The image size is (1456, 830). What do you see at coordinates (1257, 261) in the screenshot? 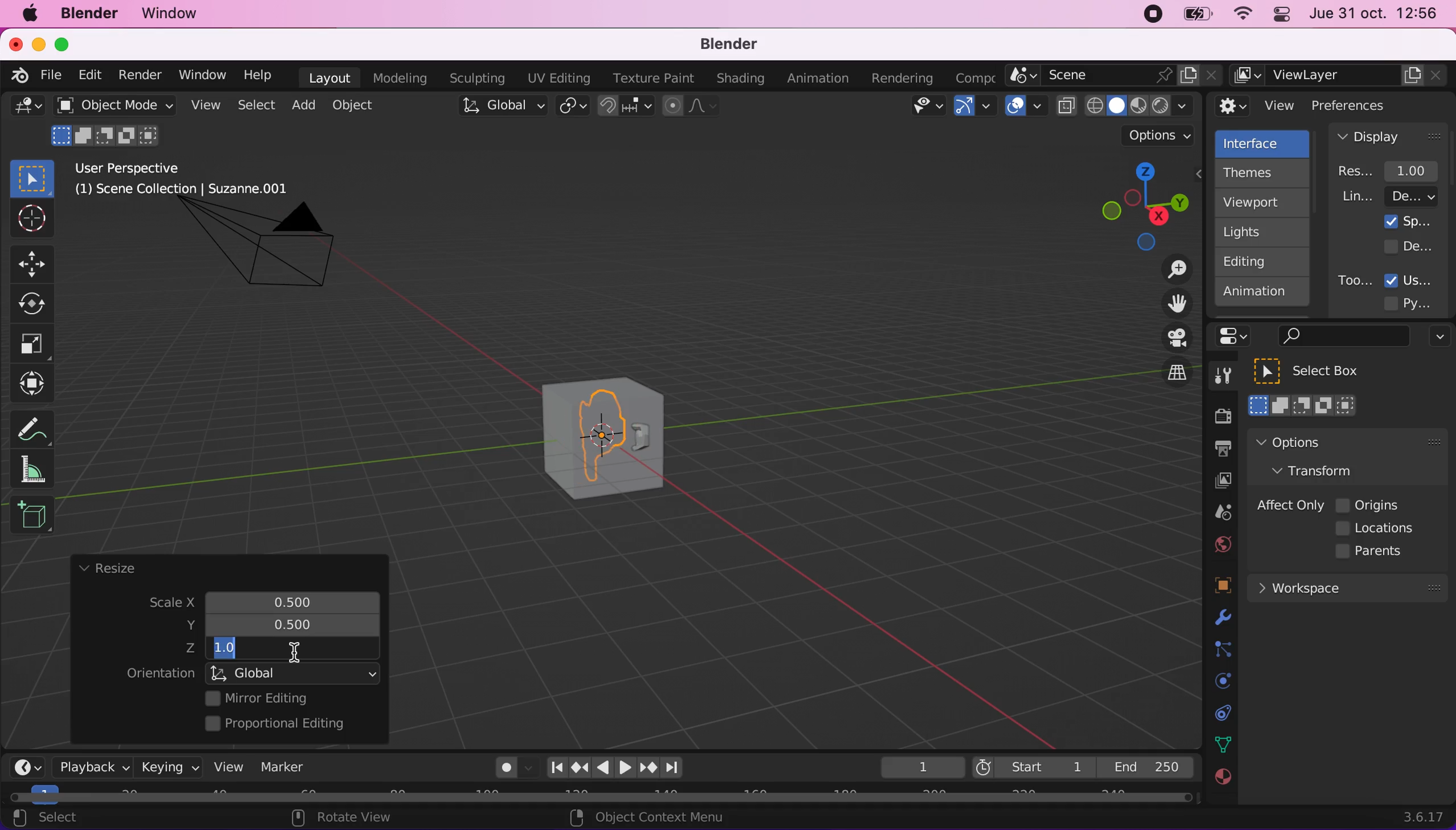
I see `editing` at bounding box center [1257, 261].